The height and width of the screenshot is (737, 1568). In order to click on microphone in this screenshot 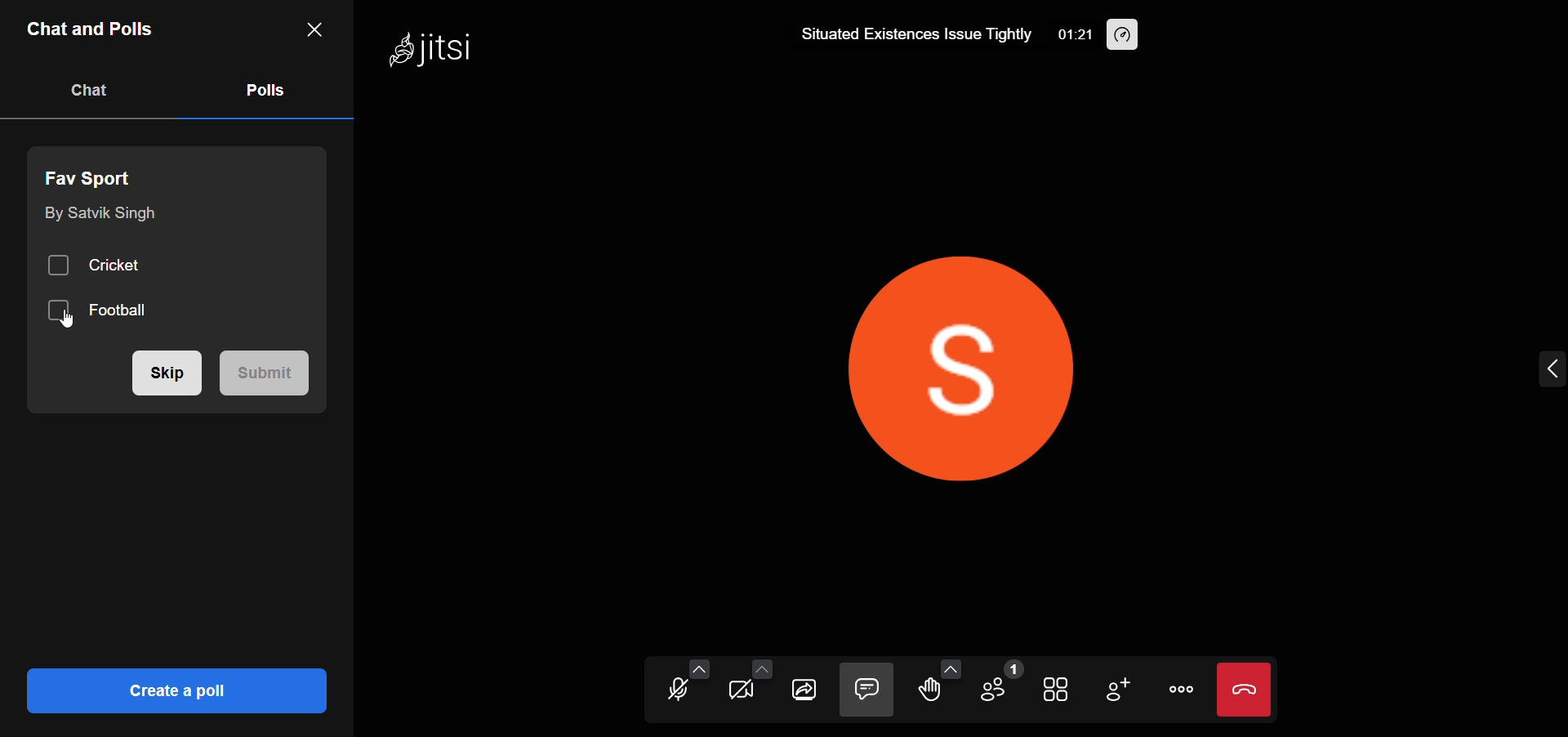, I will do `click(665, 694)`.